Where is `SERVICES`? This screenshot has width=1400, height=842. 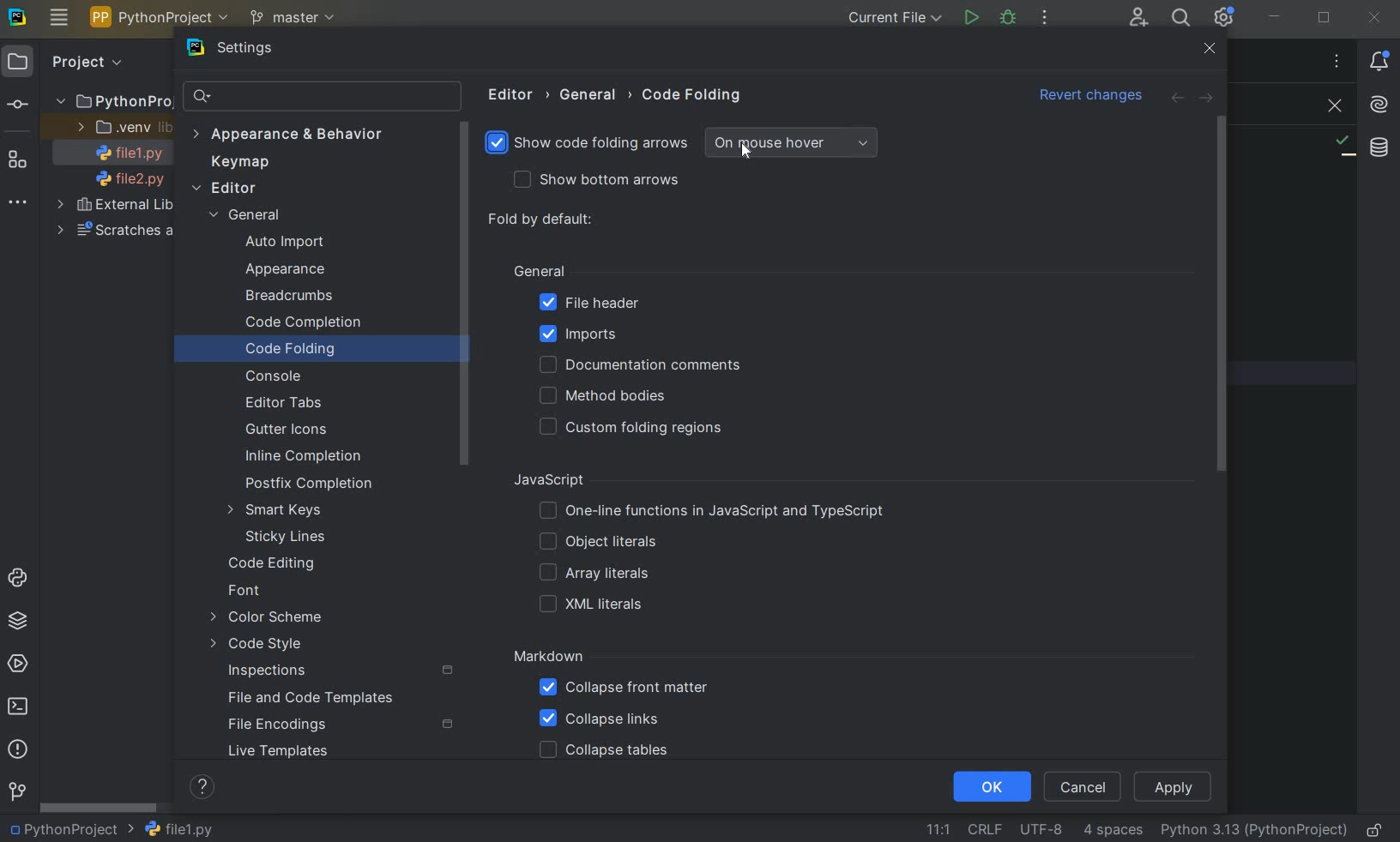 SERVICES is located at coordinates (20, 663).